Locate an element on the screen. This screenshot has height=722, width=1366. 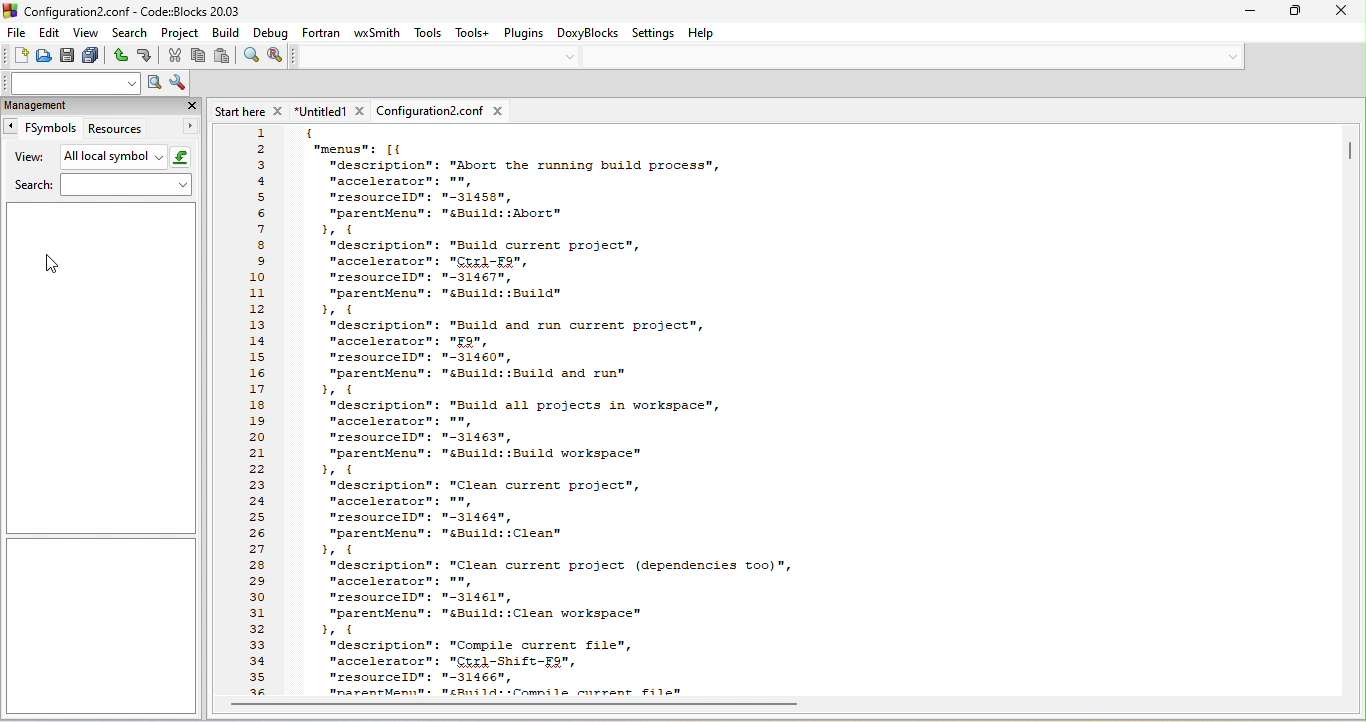
undo is located at coordinates (121, 56).